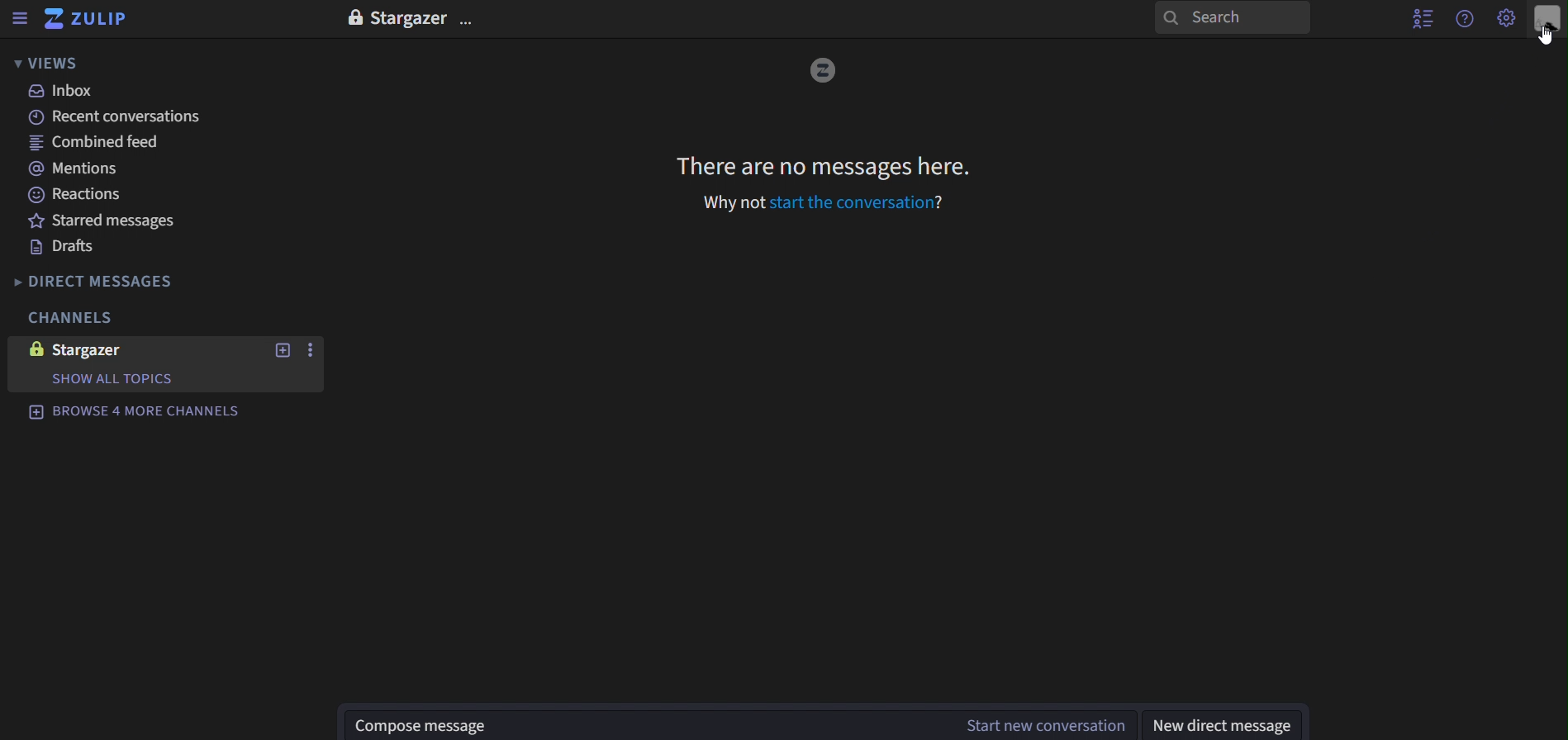  I want to click on starred messages, so click(111, 221).